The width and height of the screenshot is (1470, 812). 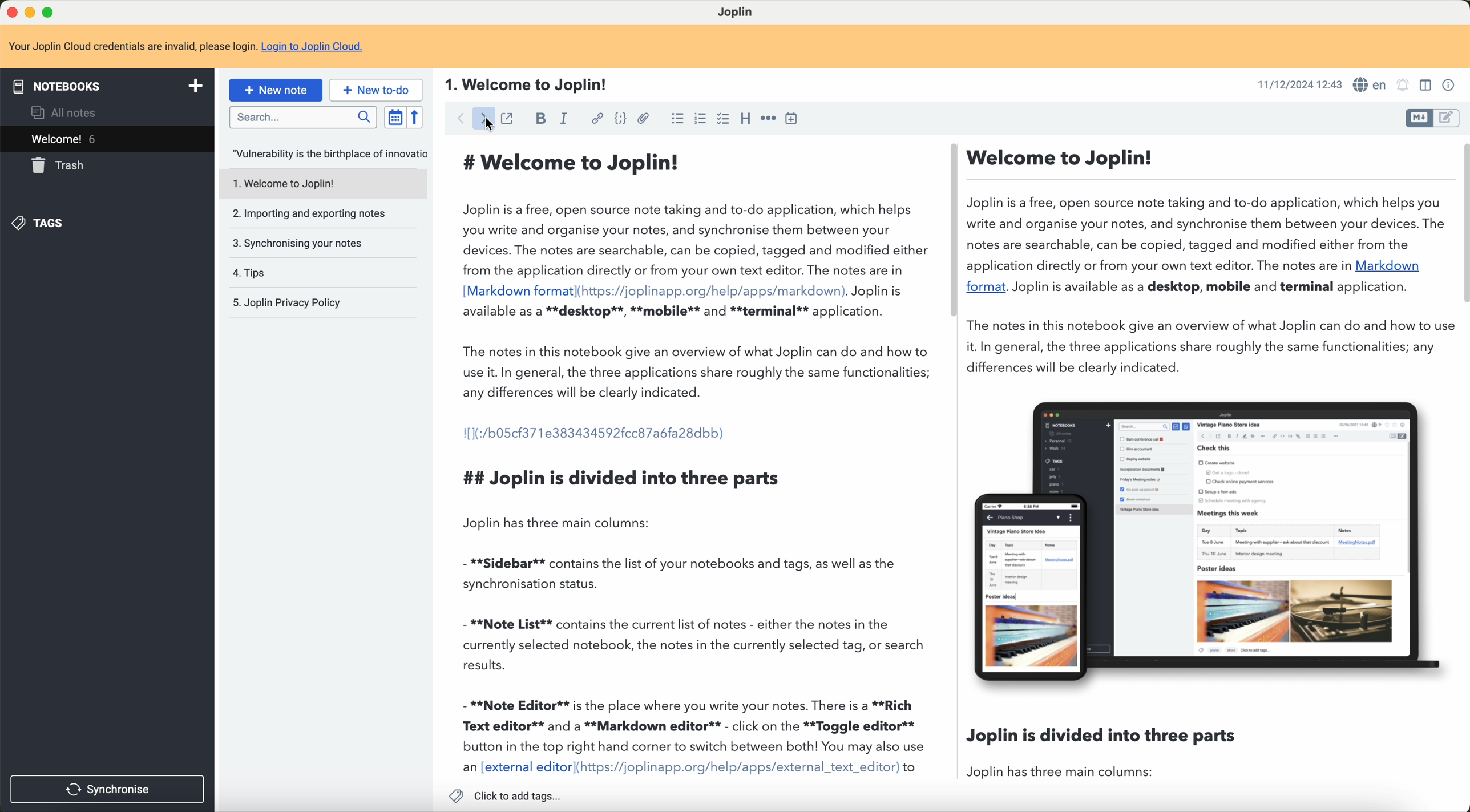 What do you see at coordinates (276, 91) in the screenshot?
I see `new note` at bounding box center [276, 91].